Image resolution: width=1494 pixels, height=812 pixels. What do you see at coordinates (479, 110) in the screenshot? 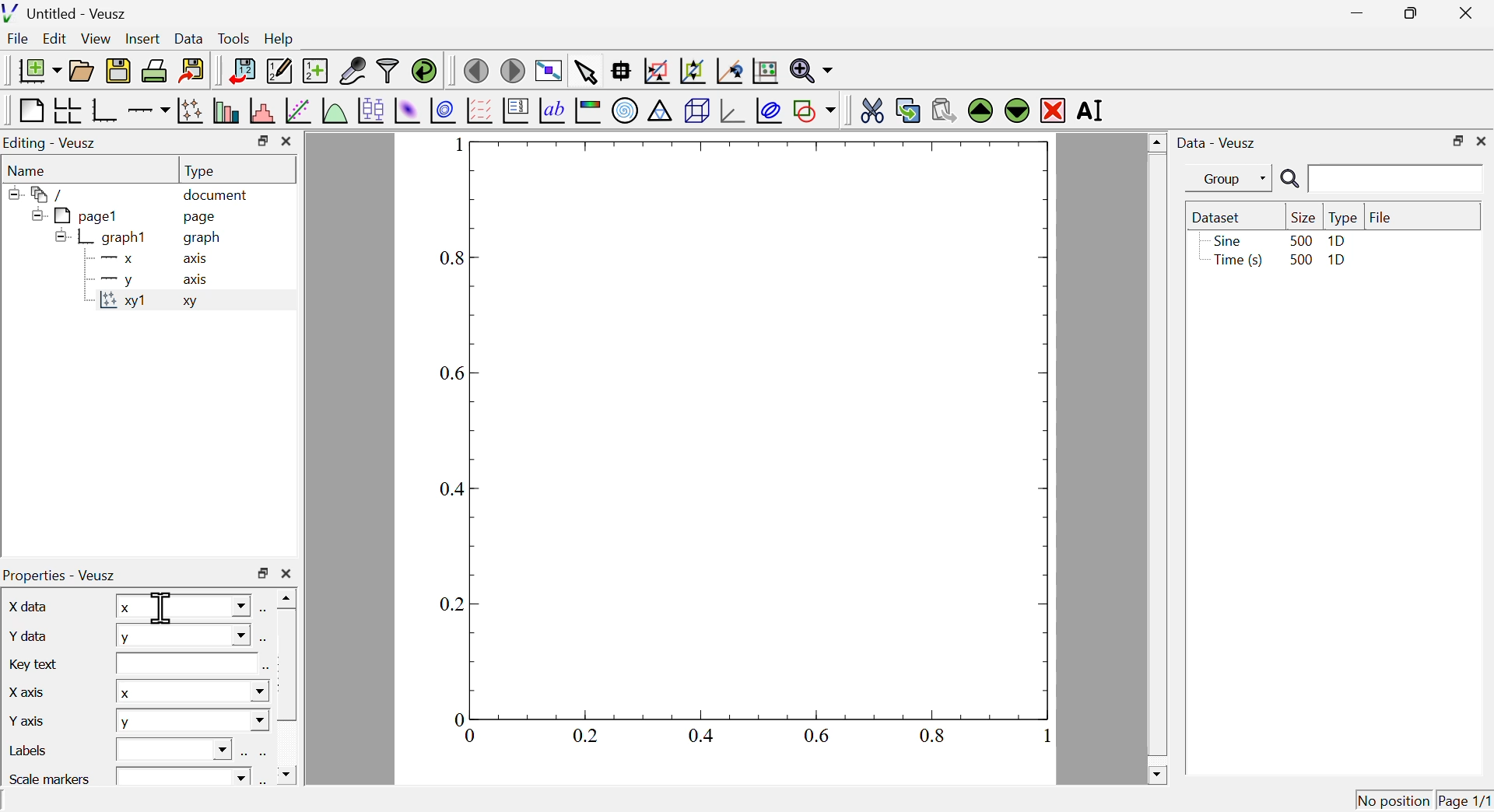
I see `plot a vector field` at bounding box center [479, 110].